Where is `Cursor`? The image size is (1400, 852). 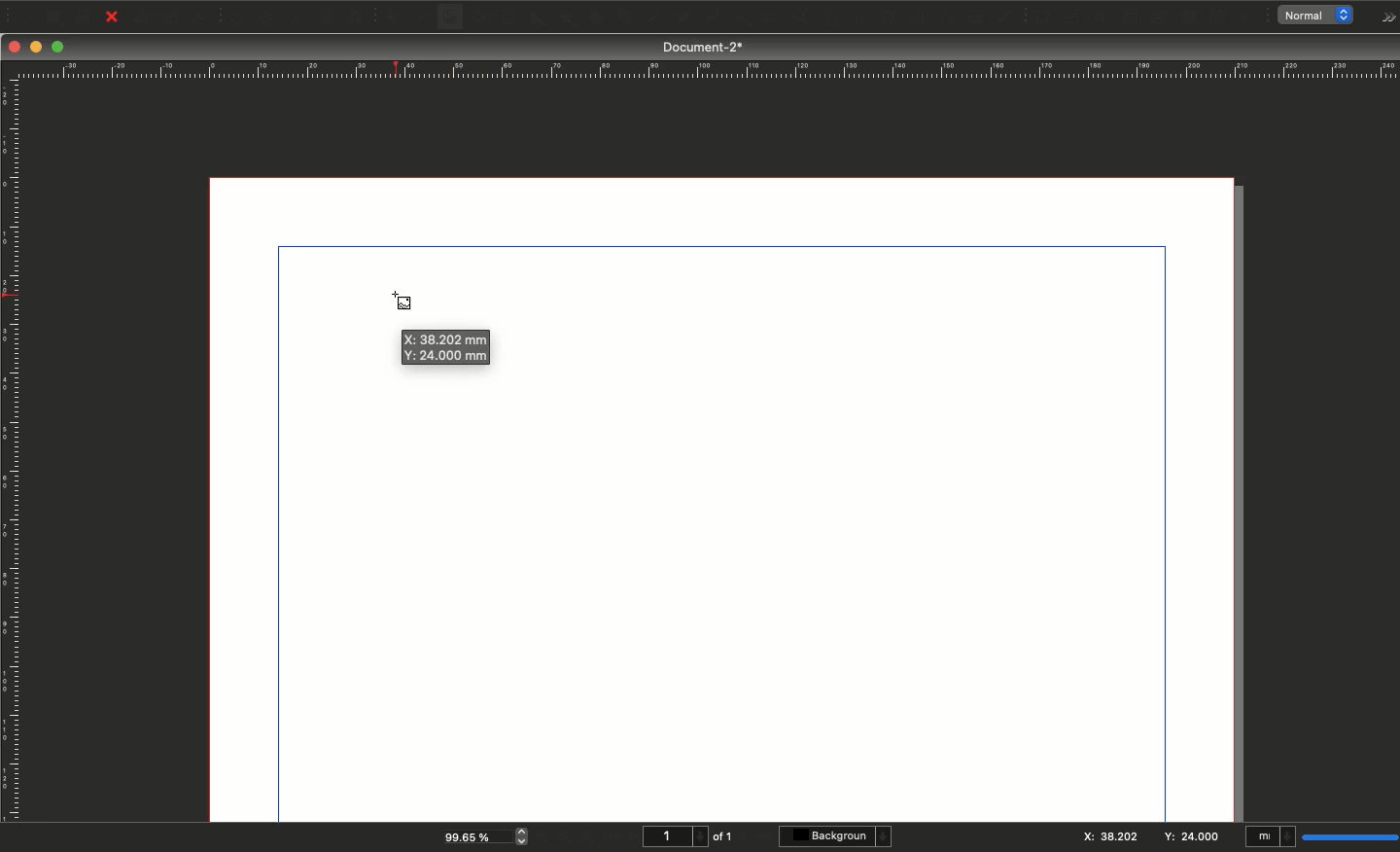 Cursor is located at coordinates (409, 300).